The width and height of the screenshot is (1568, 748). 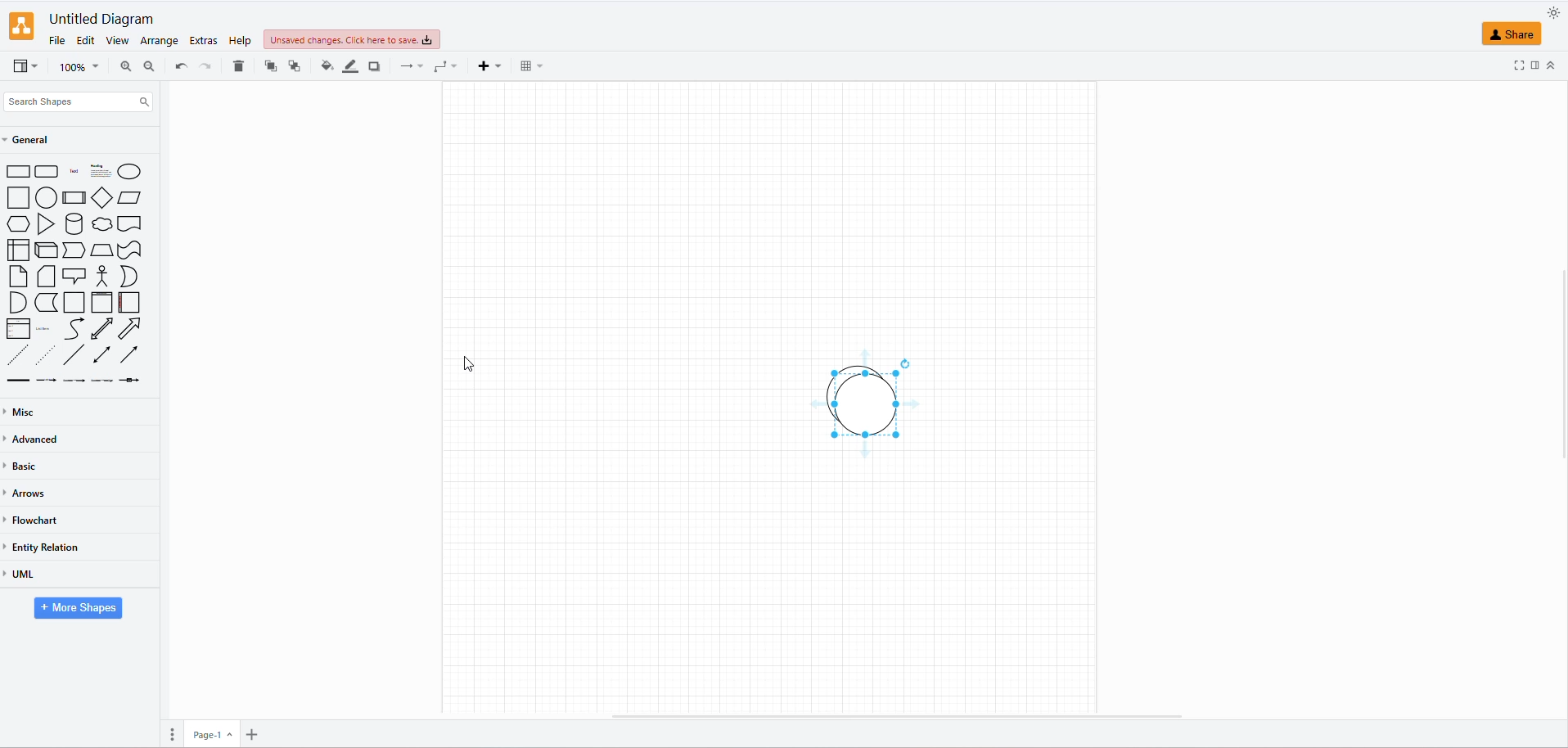 What do you see at coordinates (369, 40) in the screenshot?
I see `UNSAVED CHANGES` at bounding box center [369, 40].